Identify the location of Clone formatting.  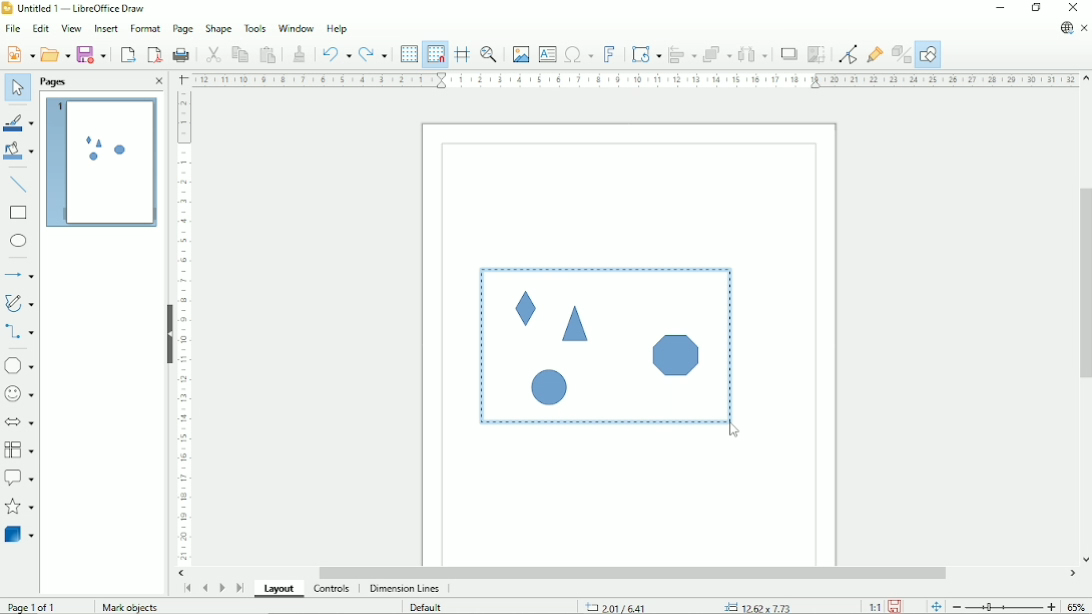
(300, 53).